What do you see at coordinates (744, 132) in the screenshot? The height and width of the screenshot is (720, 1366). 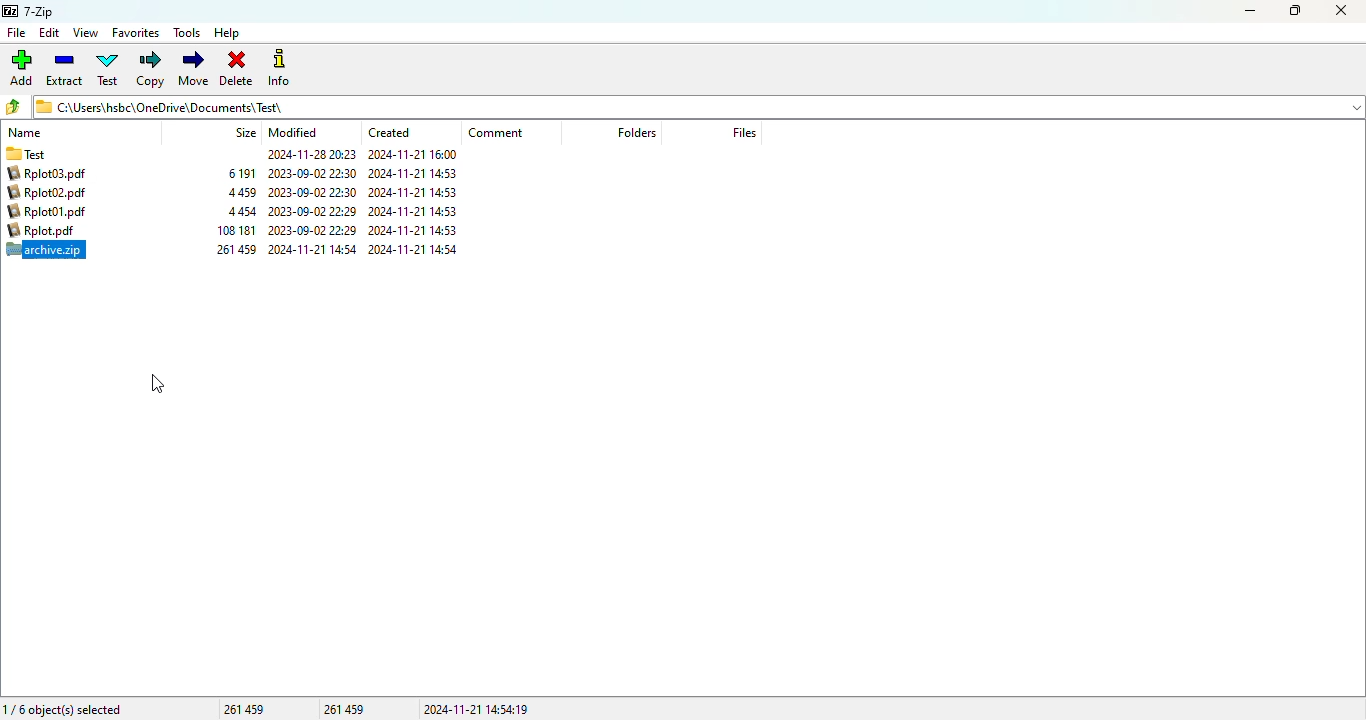 I see `files` at bounding box center [744, 132].